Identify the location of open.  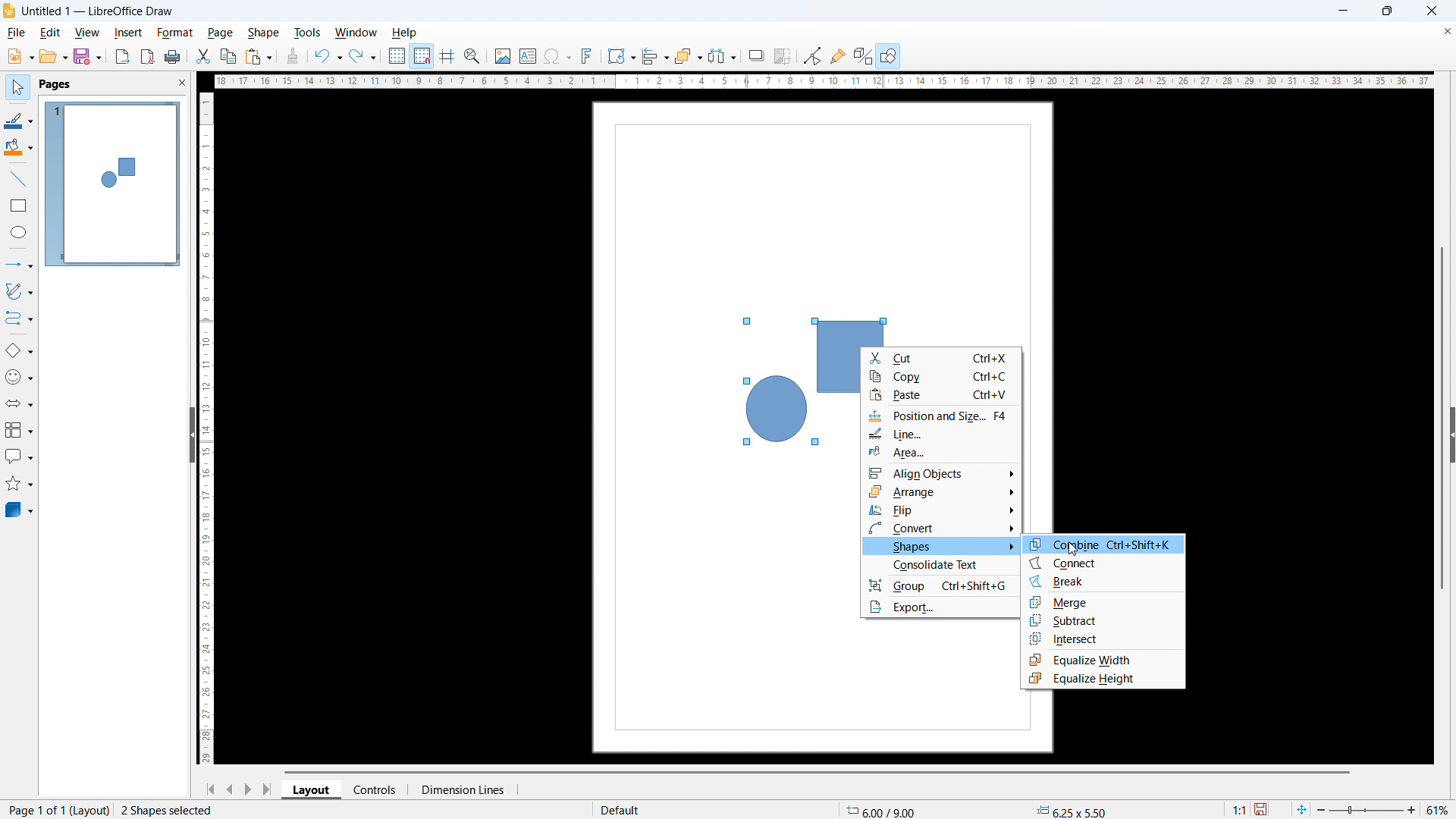
(53, 57).